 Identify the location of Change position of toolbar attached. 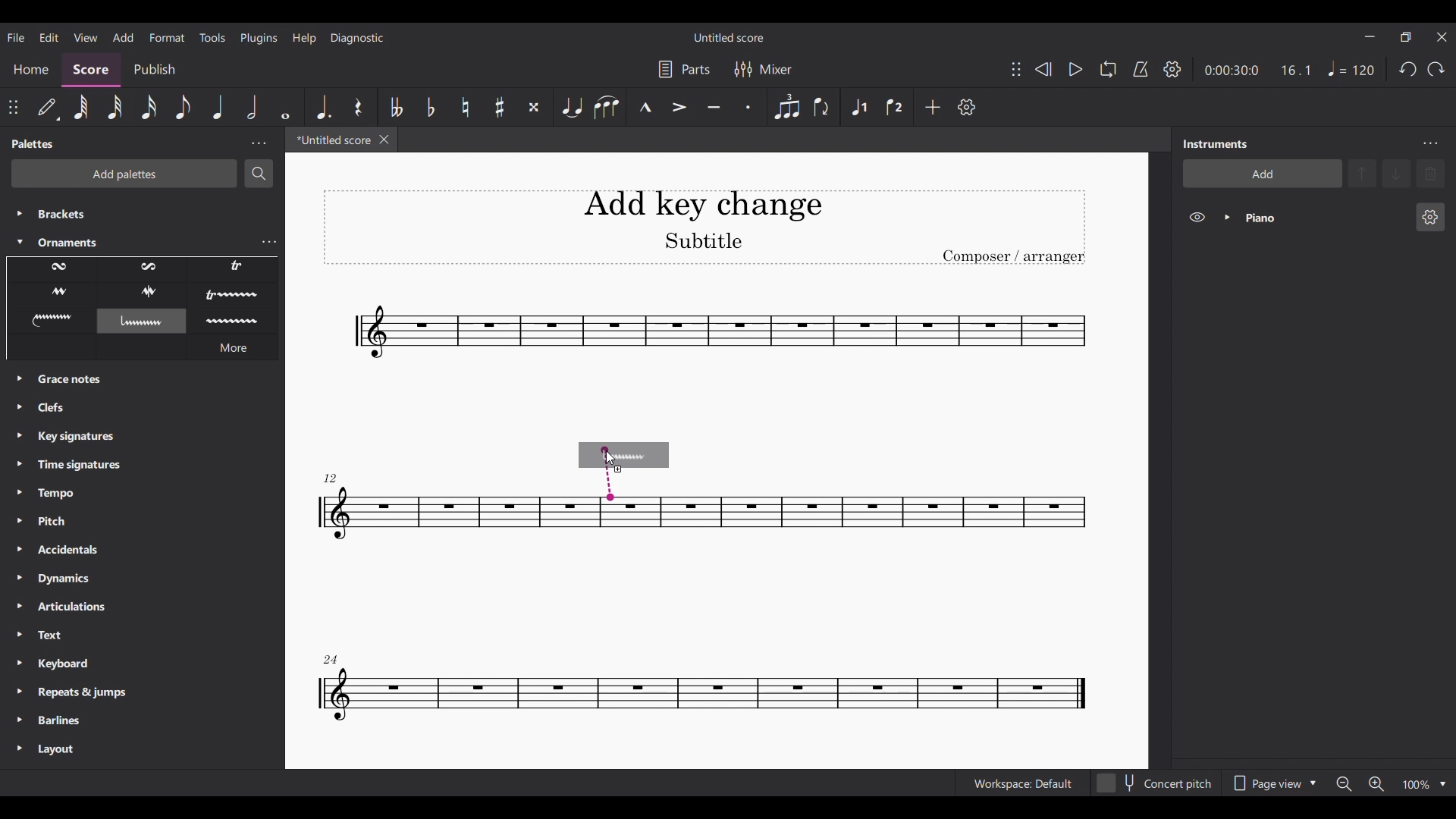
(1015, 69).